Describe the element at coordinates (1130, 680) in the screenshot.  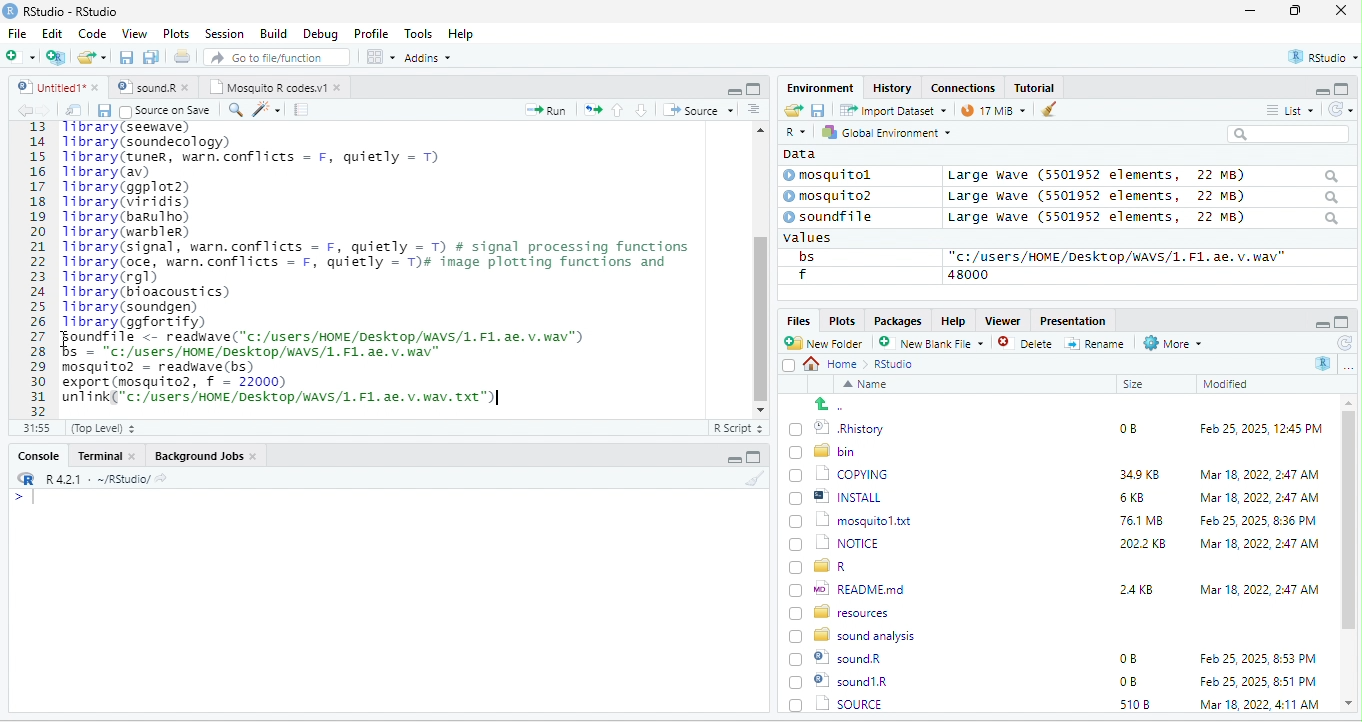
I see `5108` at that location.